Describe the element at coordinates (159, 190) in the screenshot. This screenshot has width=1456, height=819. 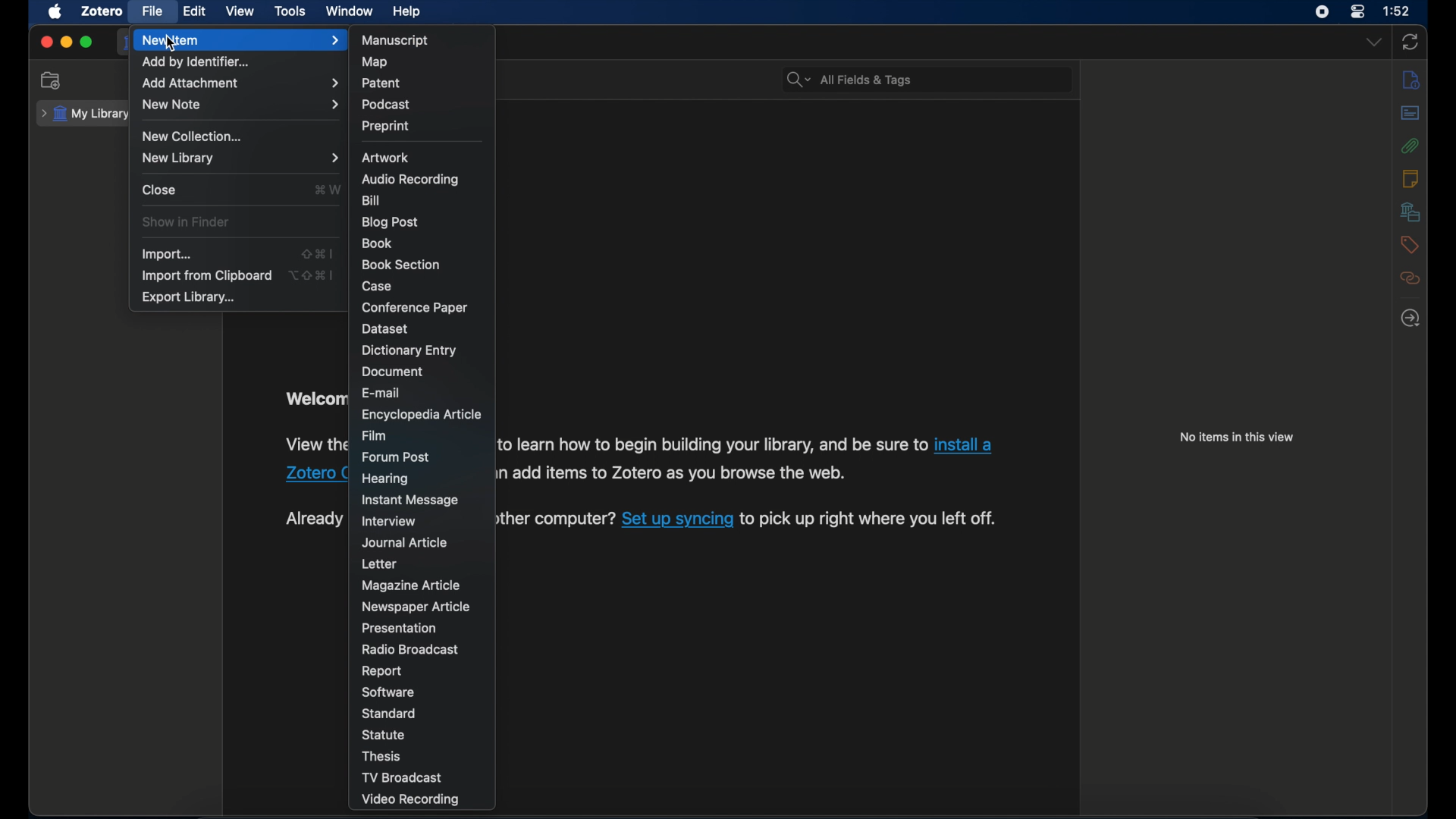
I see `close` at that location.